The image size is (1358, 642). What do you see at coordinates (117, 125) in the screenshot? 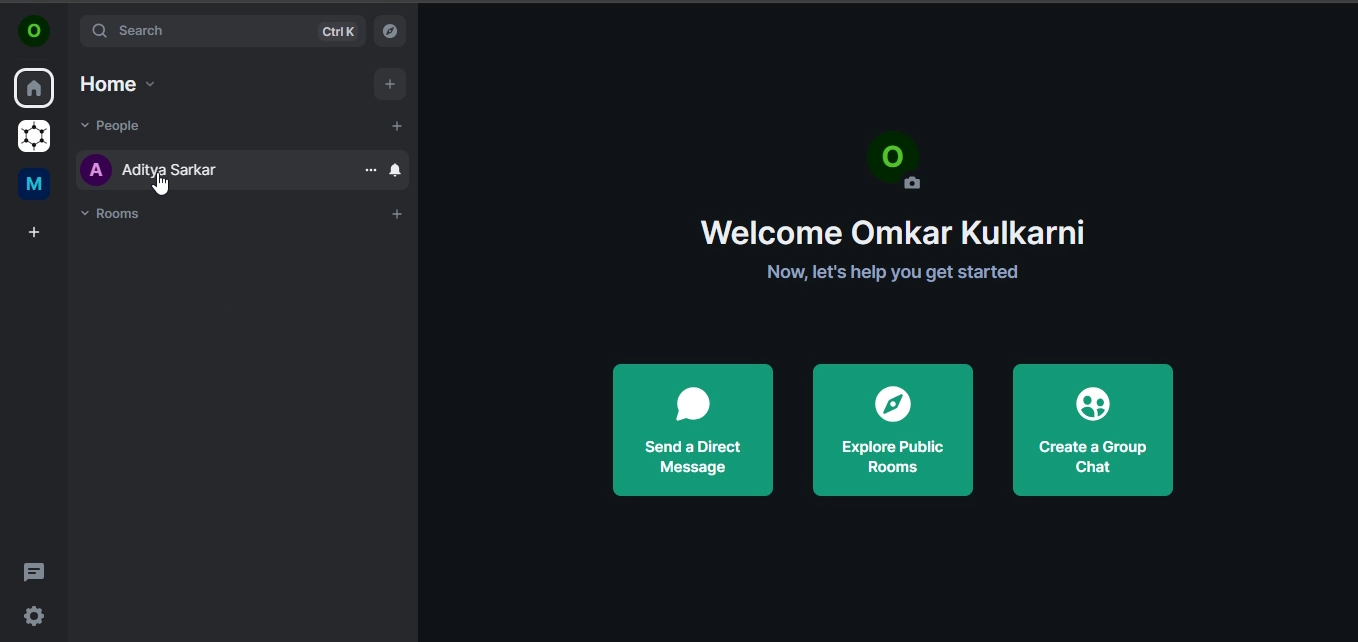
I see `people` at bounding box center [117, 125].